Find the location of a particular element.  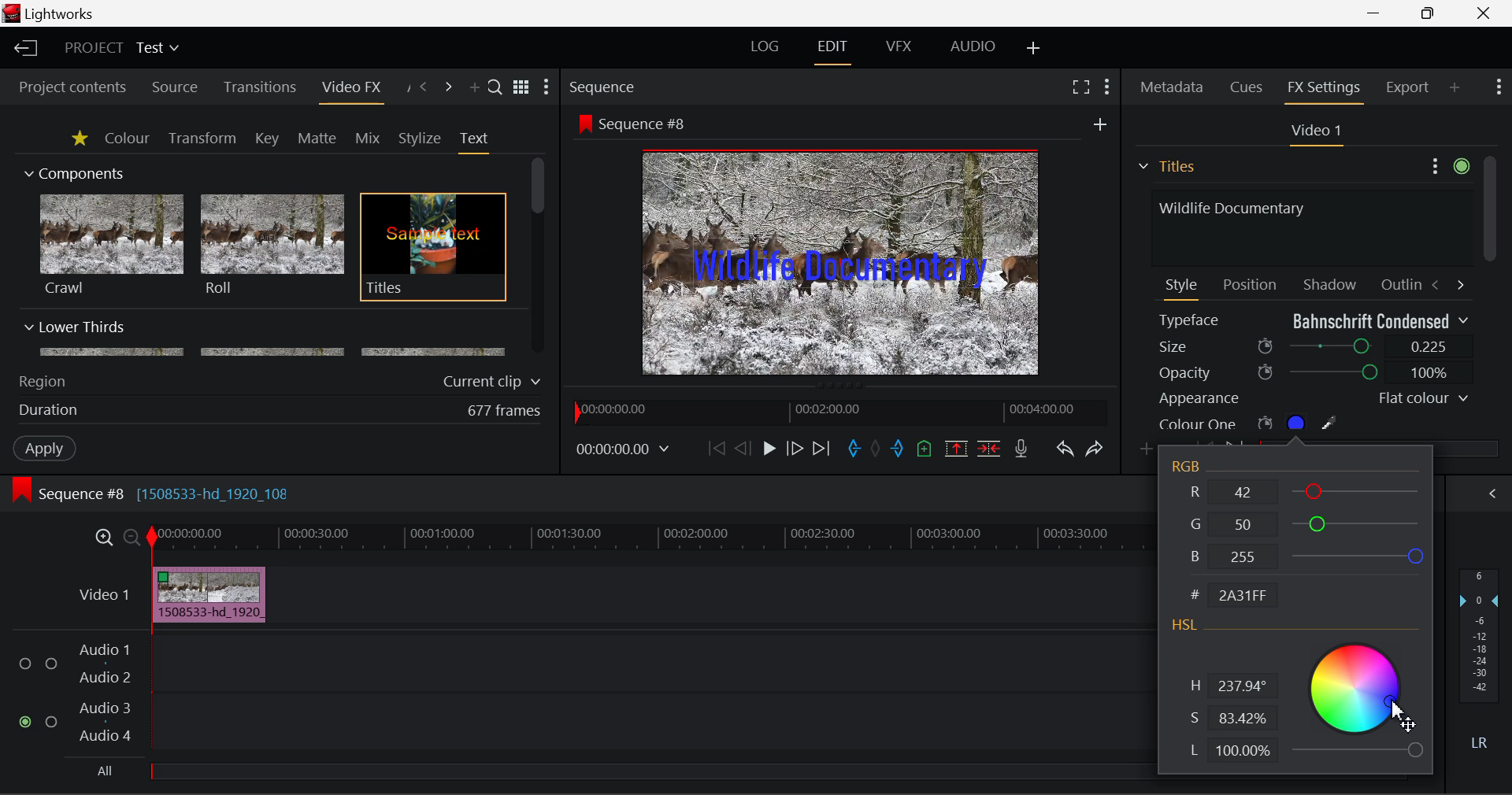

H is located at coordinates (1232, 687).